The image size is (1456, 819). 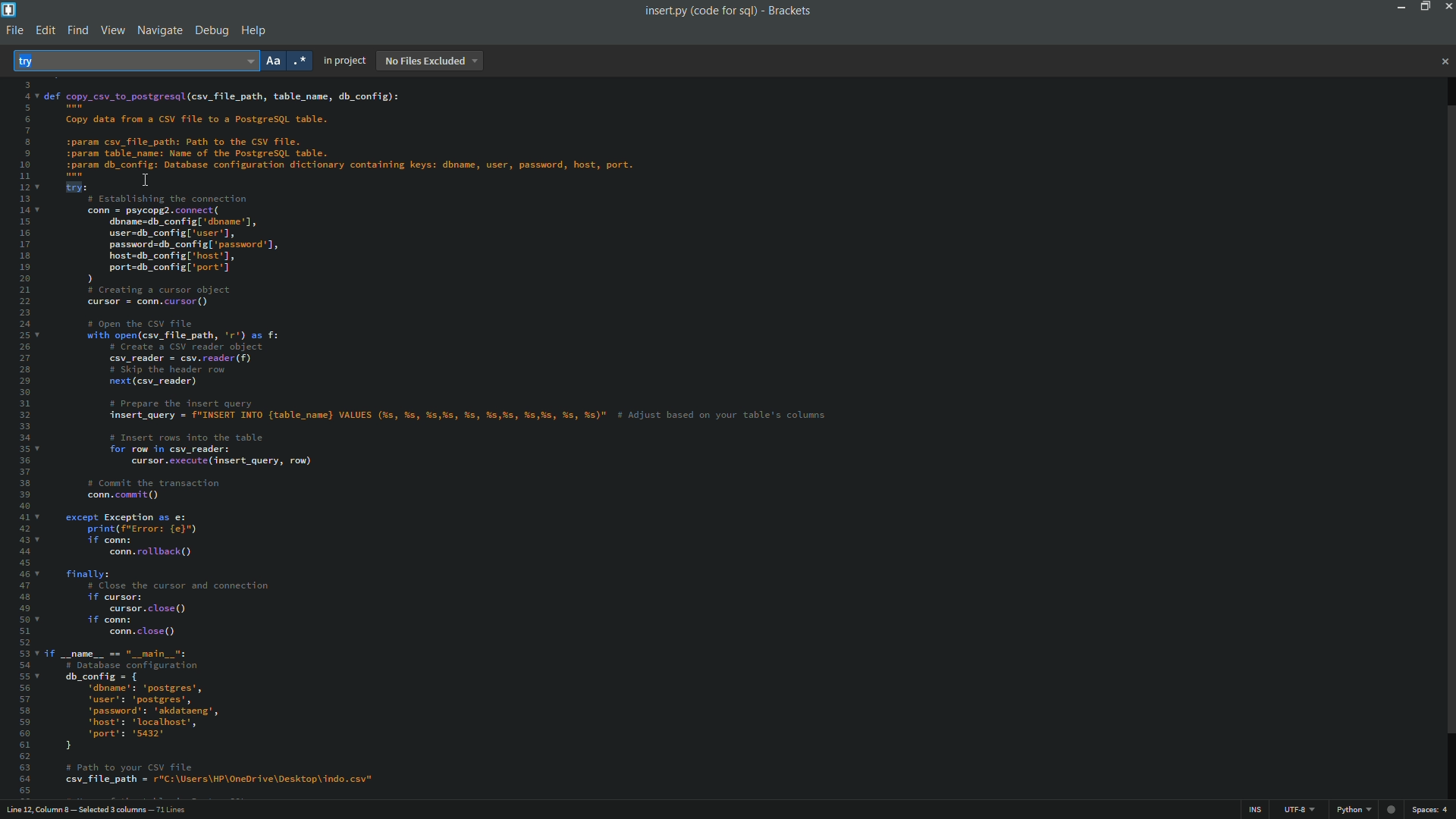 What do you see at coordinates (1447, 6) in the screenshot?
I see `close app` at bounding box center [1447, 6].